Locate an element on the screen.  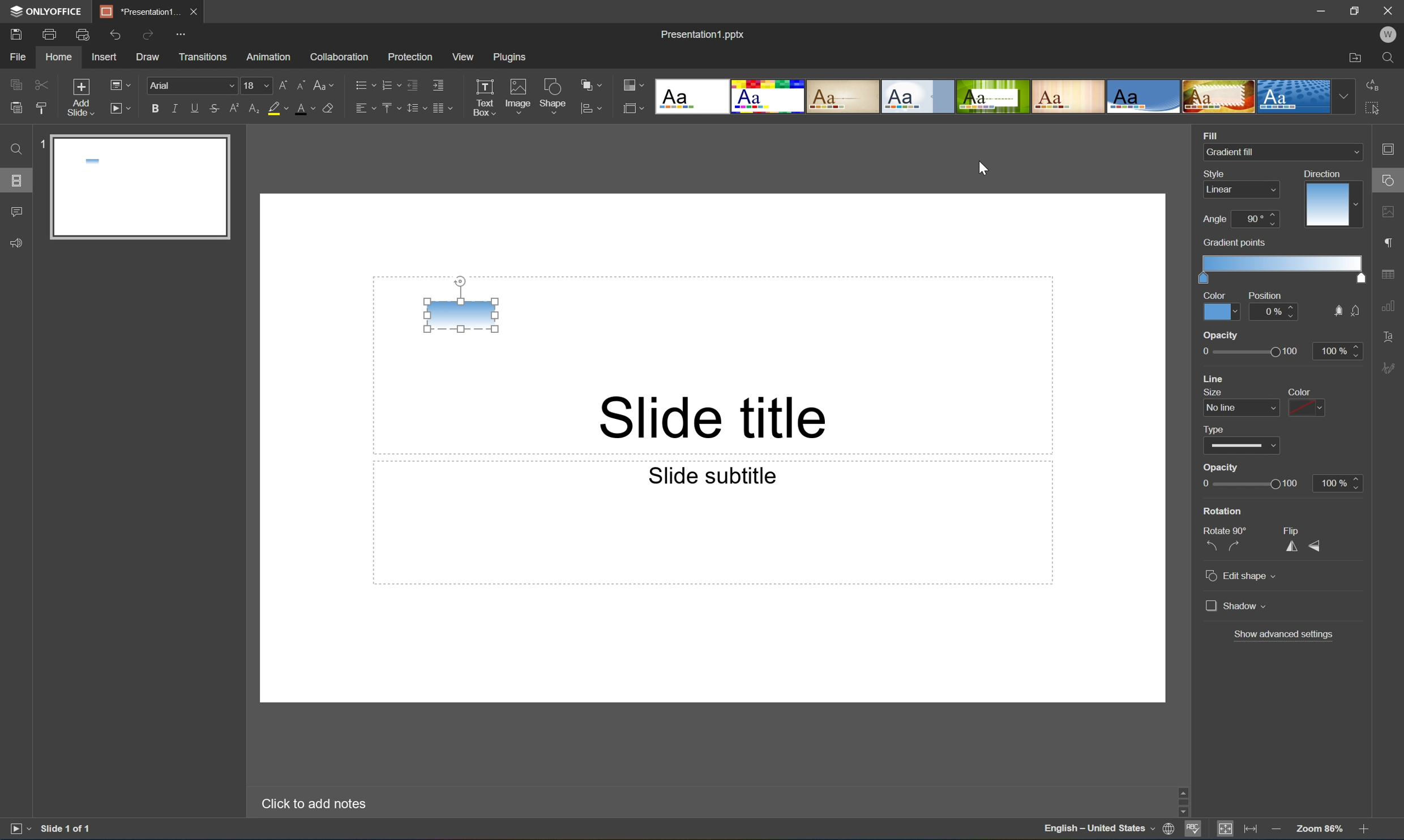
Scroll Bar is located at coordinates (1361, 799).